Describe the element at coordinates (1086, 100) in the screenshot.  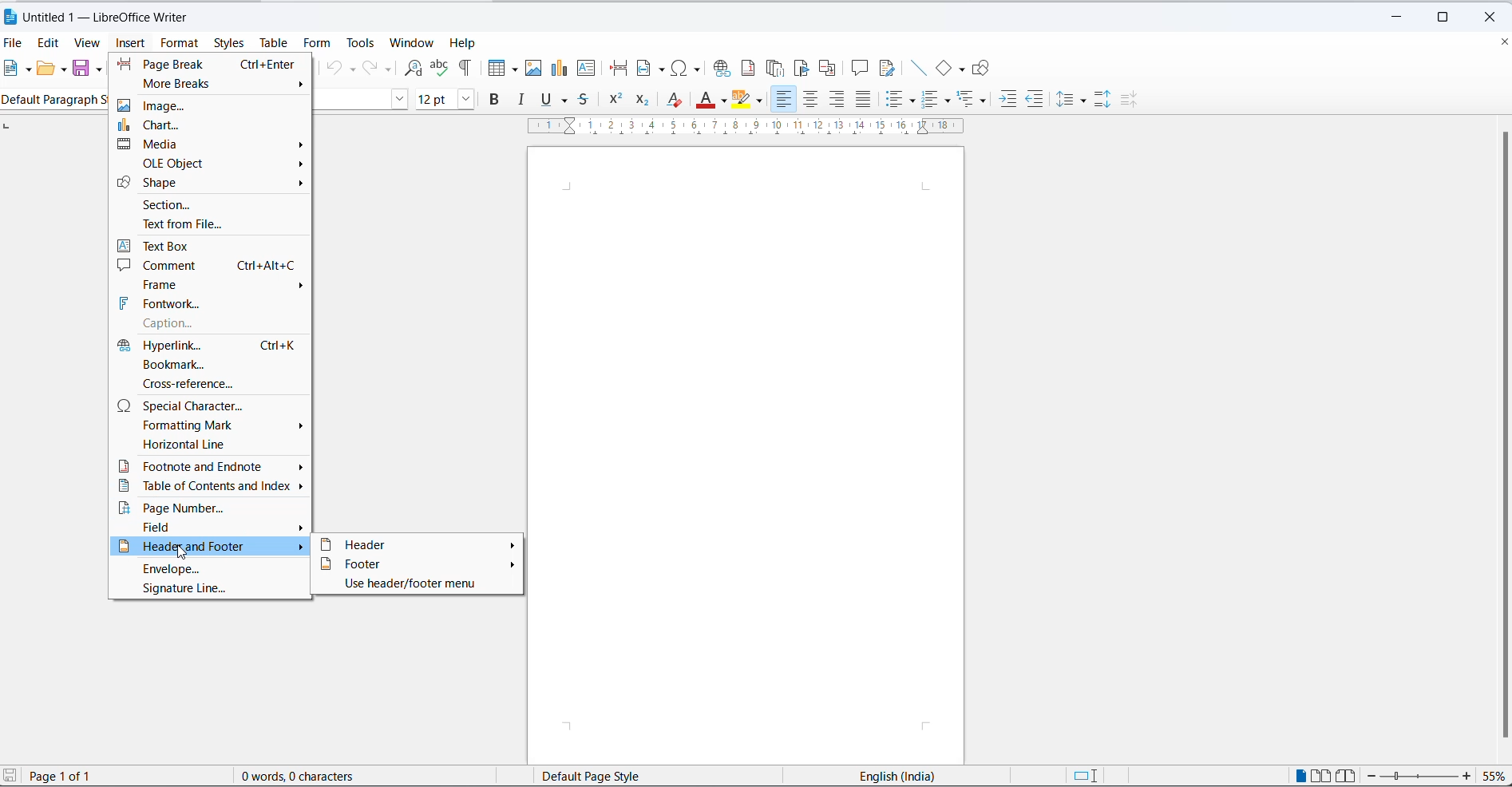
I see `line spacing options` at that location.